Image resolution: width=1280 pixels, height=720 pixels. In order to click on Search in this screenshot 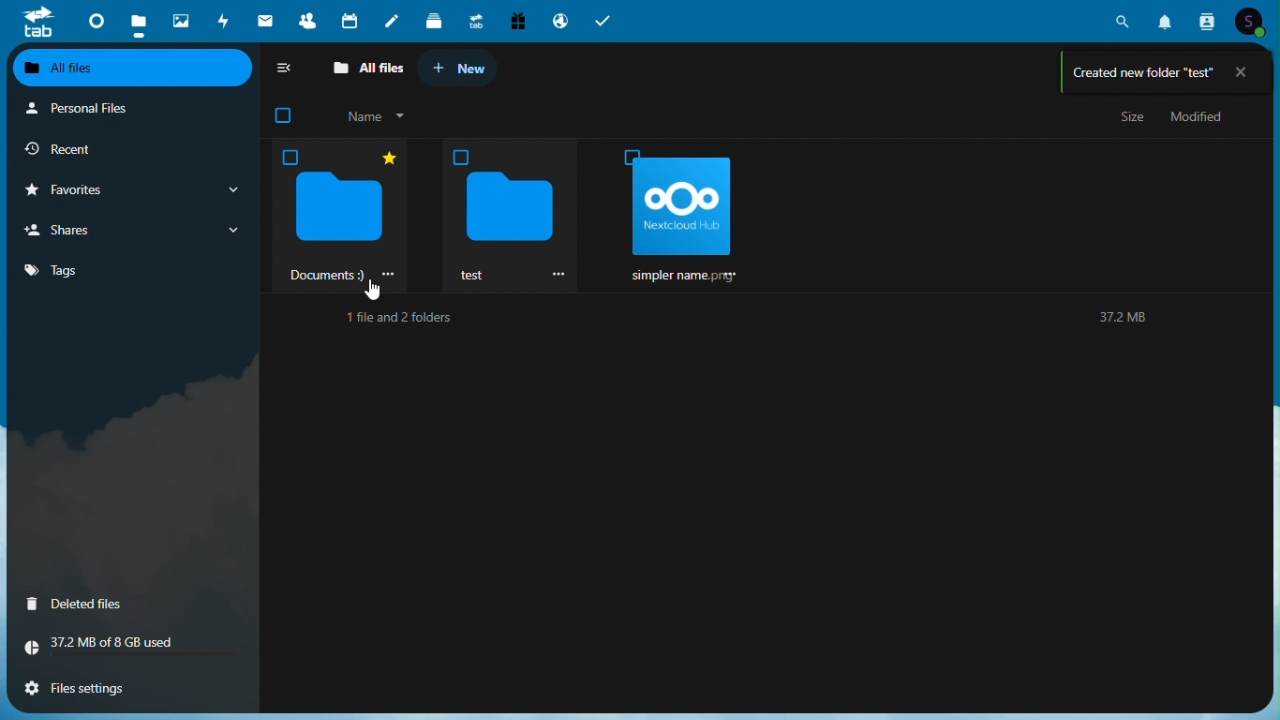, I will do `click(1126, 18)`.